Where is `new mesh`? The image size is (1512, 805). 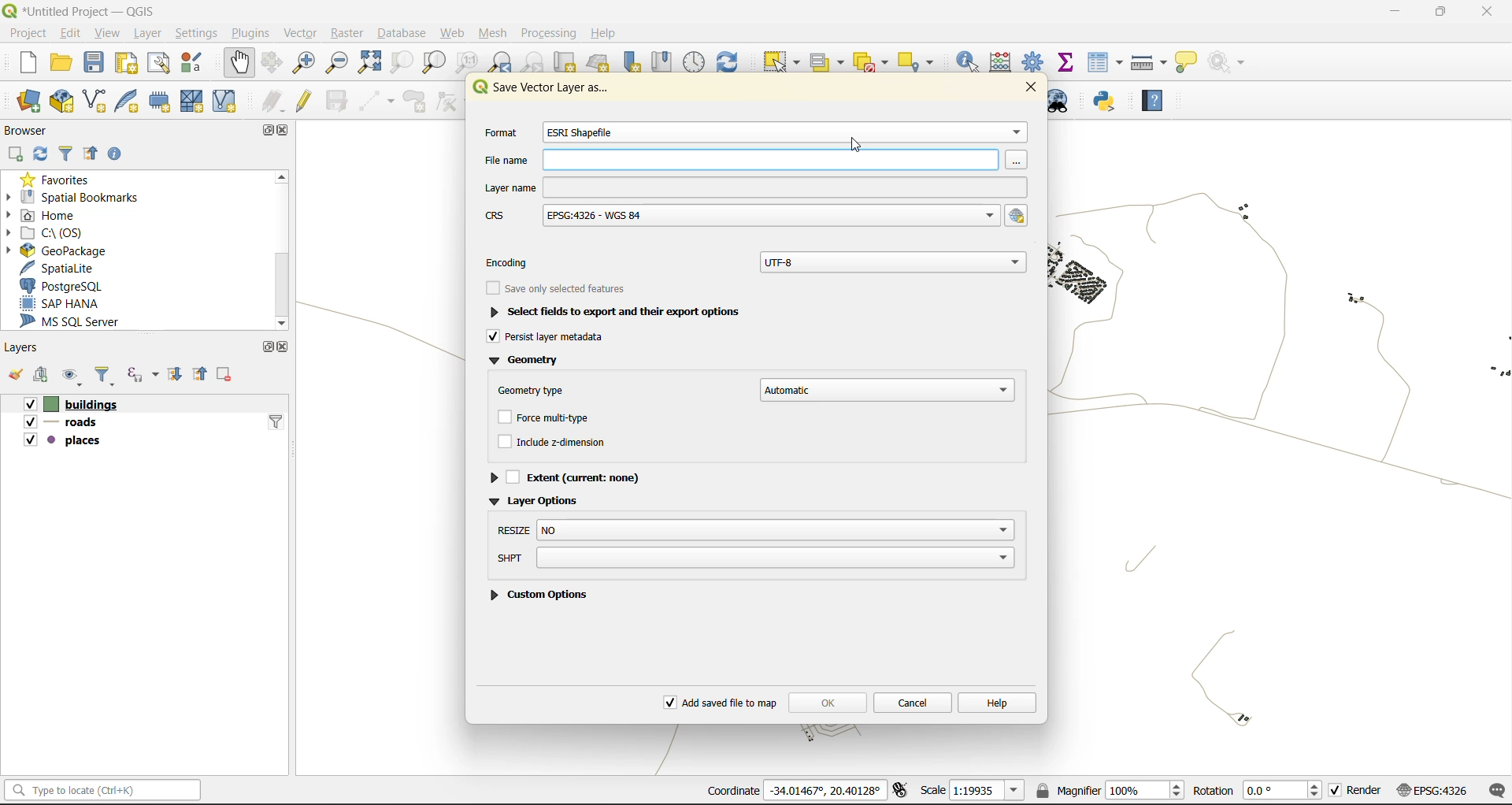
new mesh is located at coordinates (195, 101).